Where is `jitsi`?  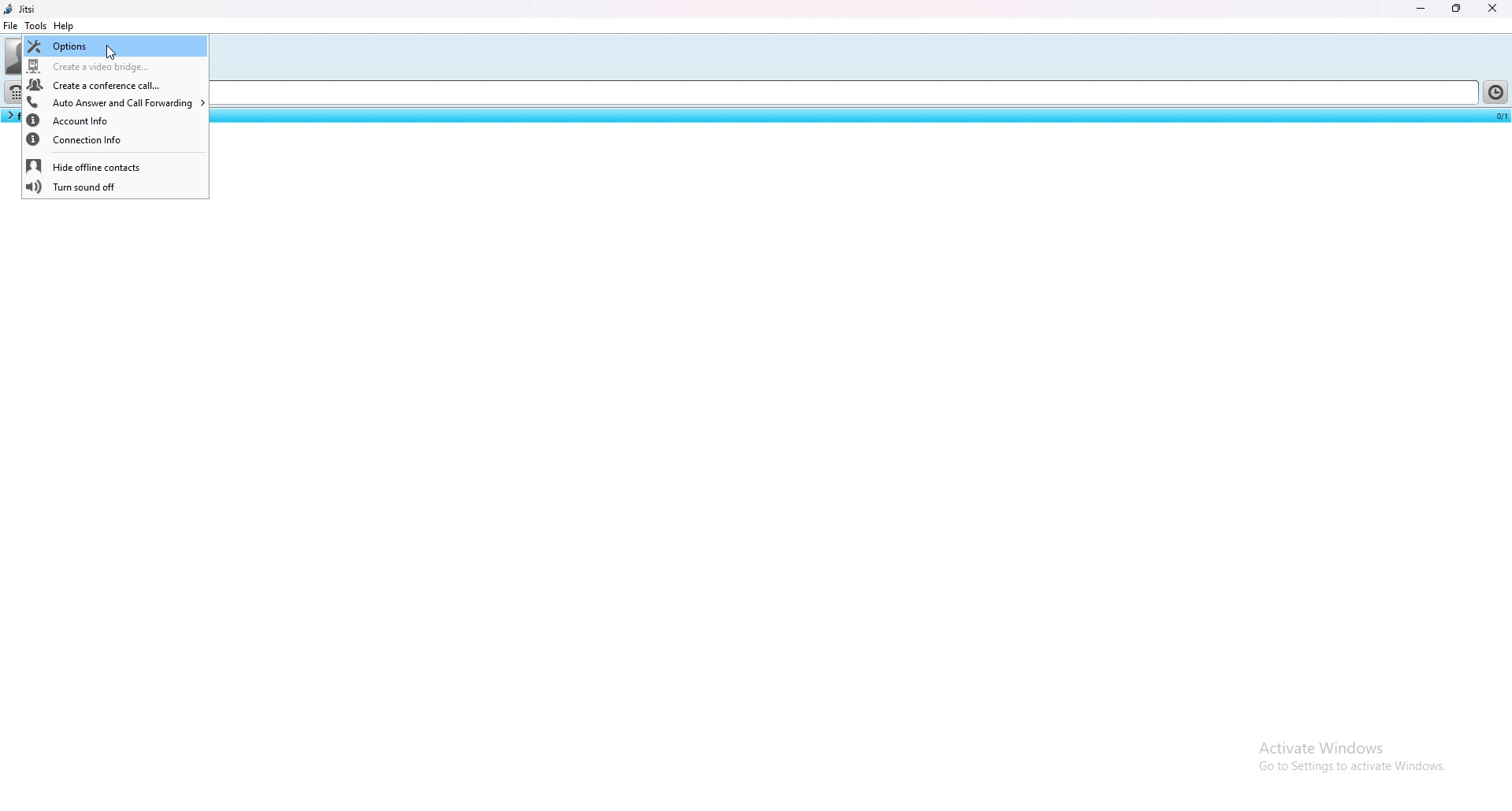 jitsi is located at coordinates (23, 9).